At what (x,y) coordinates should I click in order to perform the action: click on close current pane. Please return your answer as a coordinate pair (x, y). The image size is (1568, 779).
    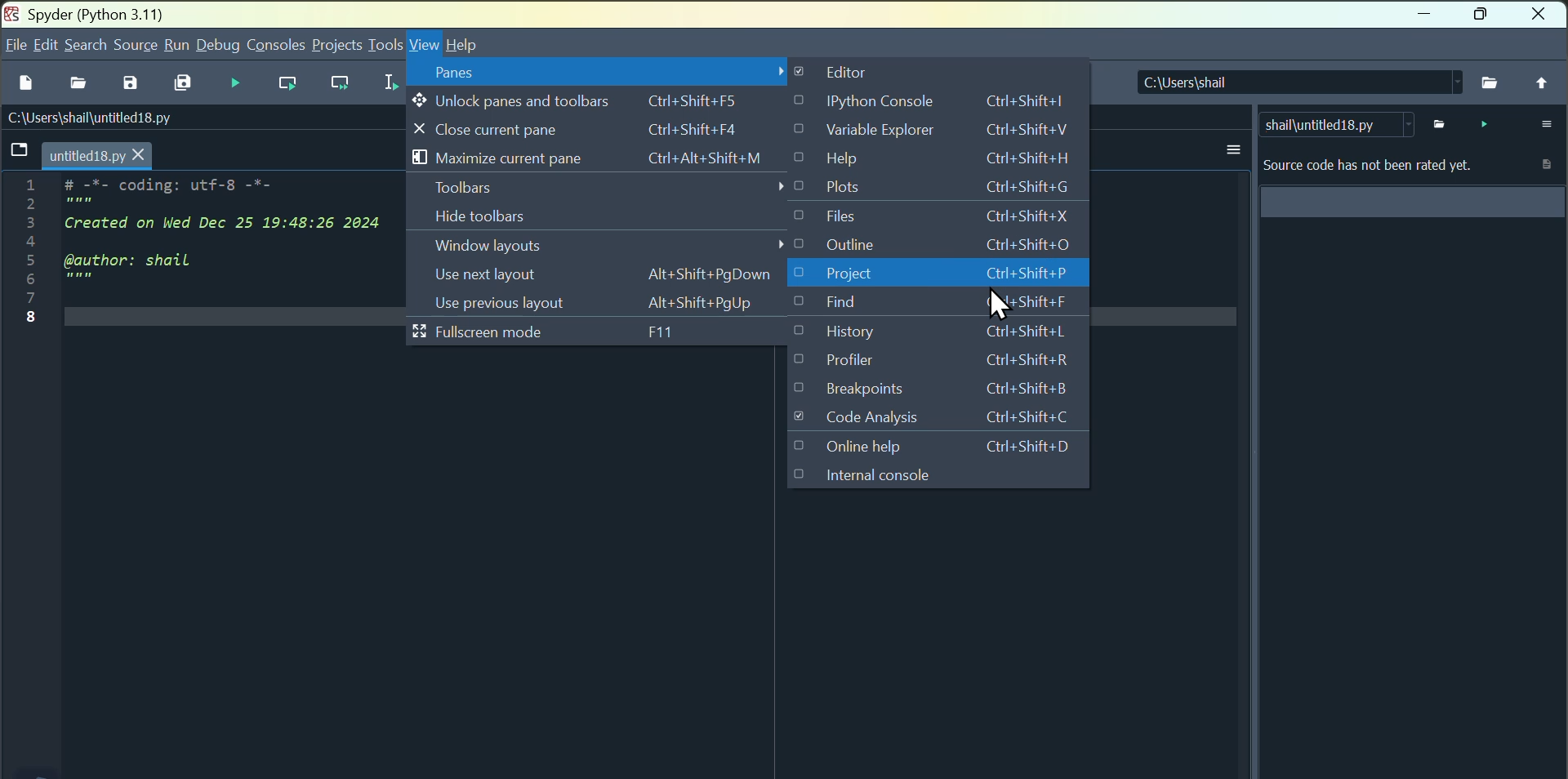
    Looking at the image, I should click on (594, 128).